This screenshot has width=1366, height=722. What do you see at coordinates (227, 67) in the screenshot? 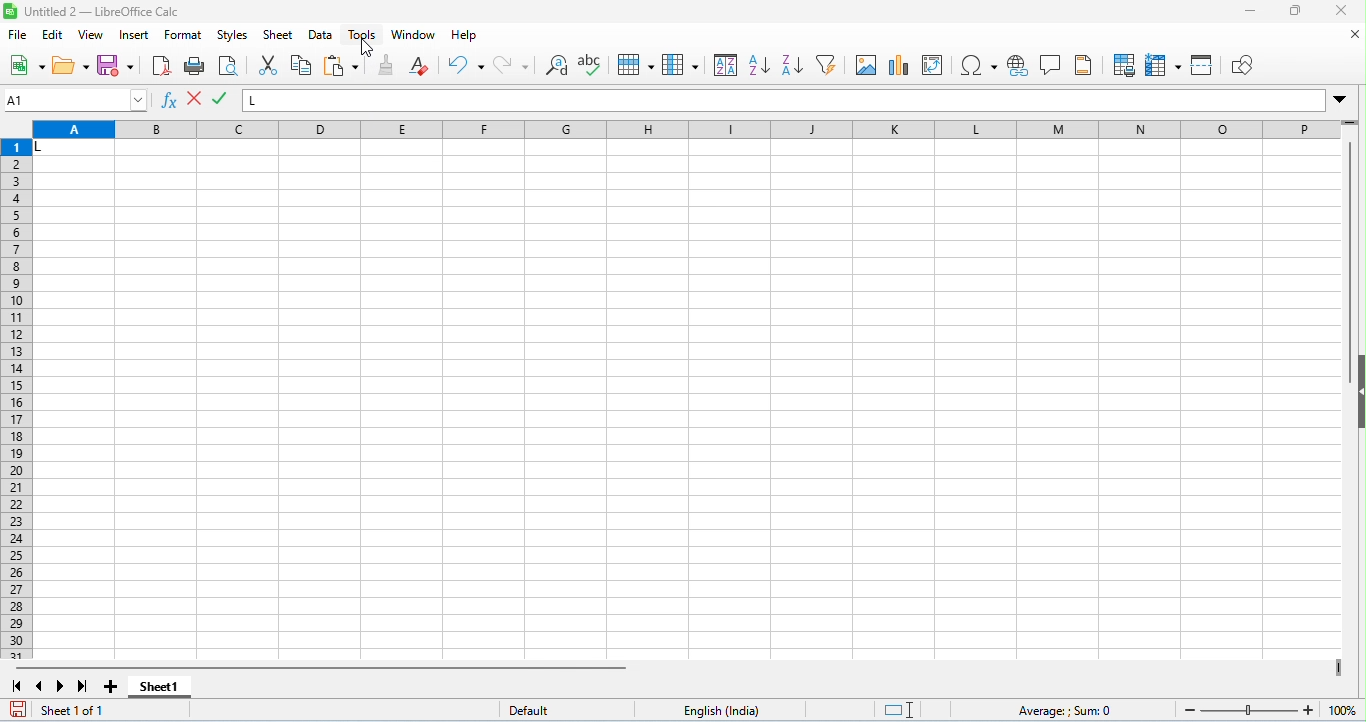
I see `print preview` at bounding box center [227, 67].